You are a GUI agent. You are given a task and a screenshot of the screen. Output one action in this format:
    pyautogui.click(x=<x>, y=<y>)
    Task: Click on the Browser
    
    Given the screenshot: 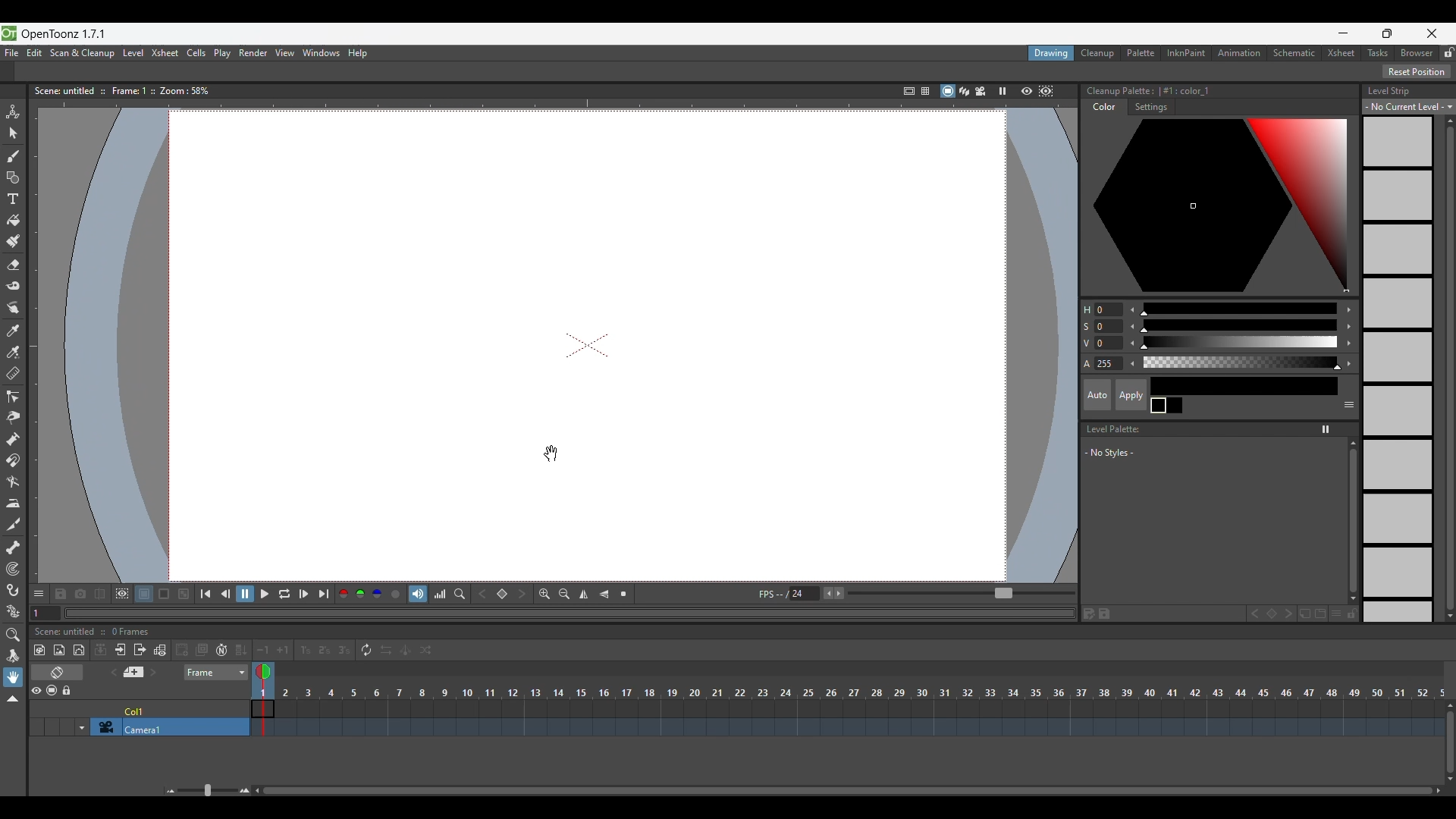 What is the action you would take?
    pyautogui.click(x=1417, y=53)
    